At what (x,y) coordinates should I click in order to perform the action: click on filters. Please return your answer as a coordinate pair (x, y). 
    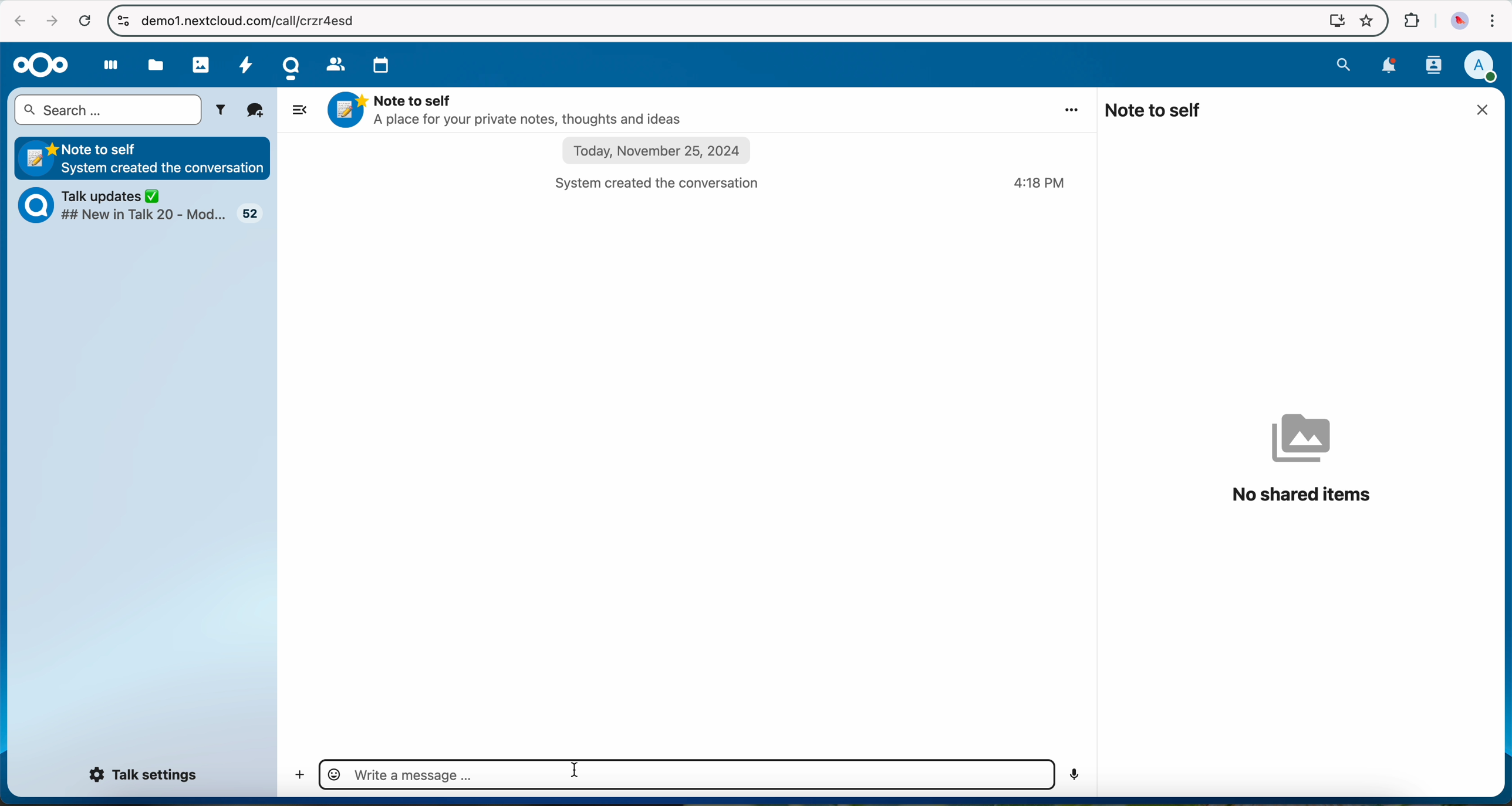
    Looking at the image, I should click on (223, 110).